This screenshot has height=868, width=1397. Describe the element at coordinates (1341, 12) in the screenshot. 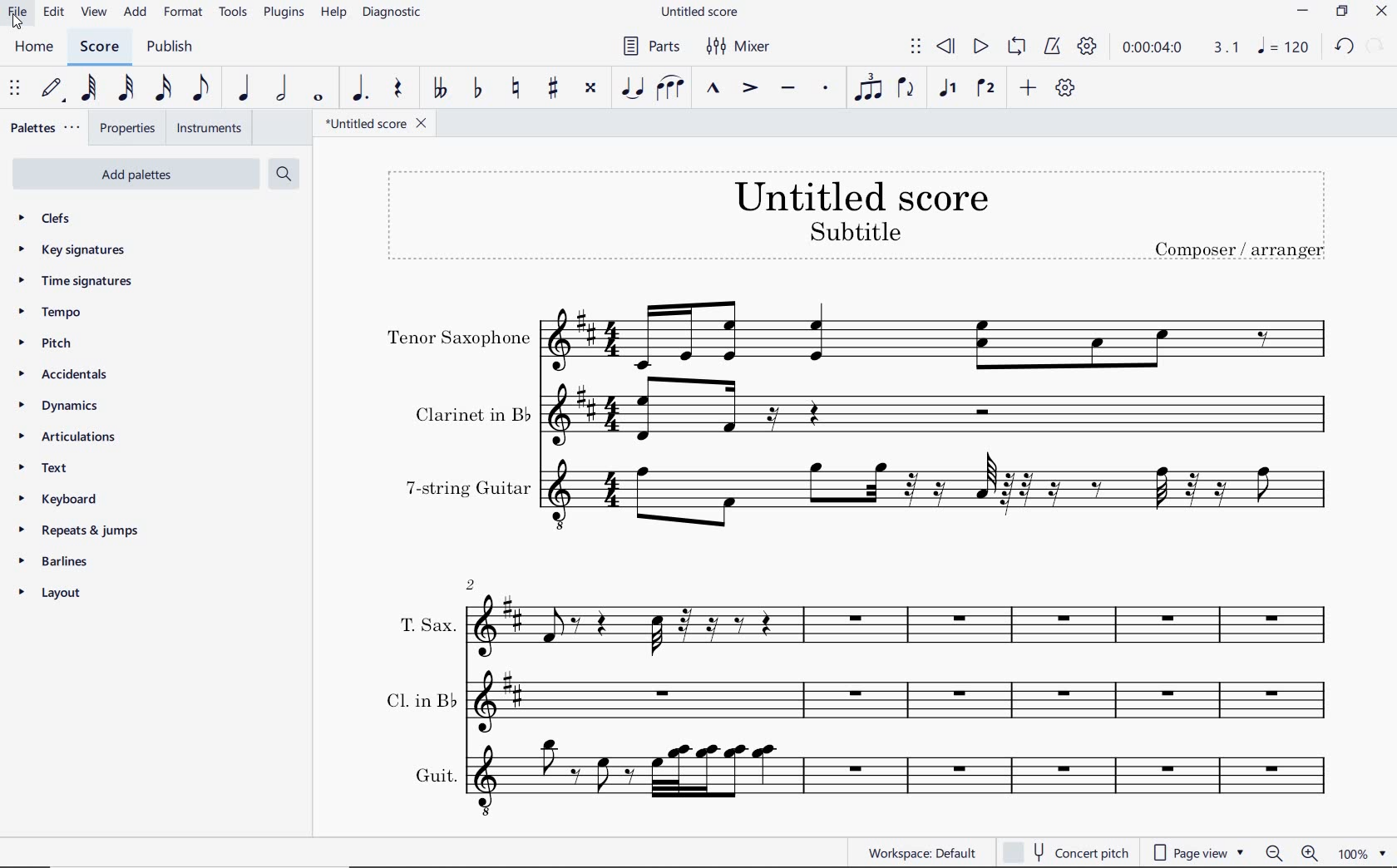

I see `RESTORE DOWN` at that location.